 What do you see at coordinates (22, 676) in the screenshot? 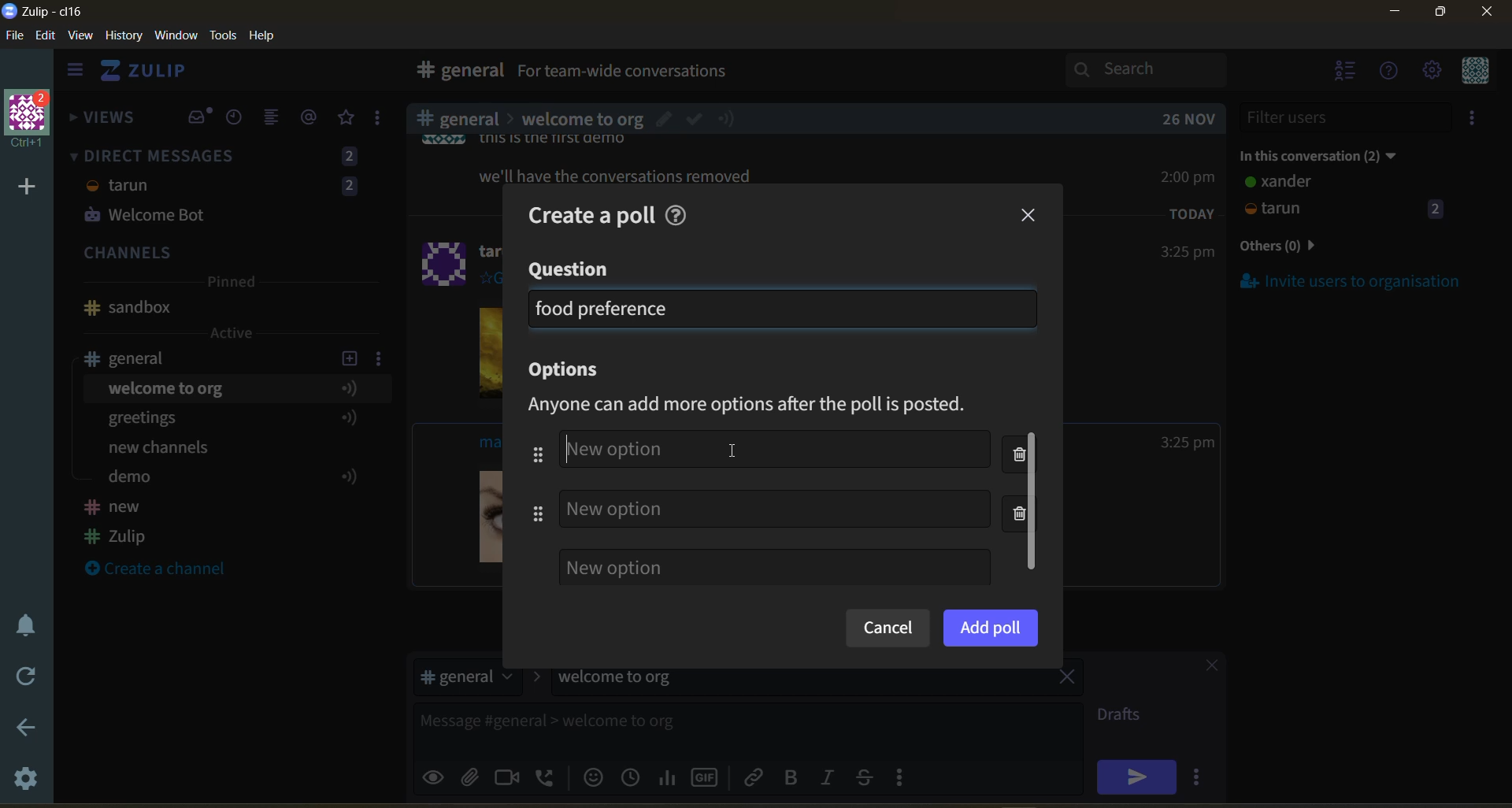
I see `reload` at bounding box center [22, 676].